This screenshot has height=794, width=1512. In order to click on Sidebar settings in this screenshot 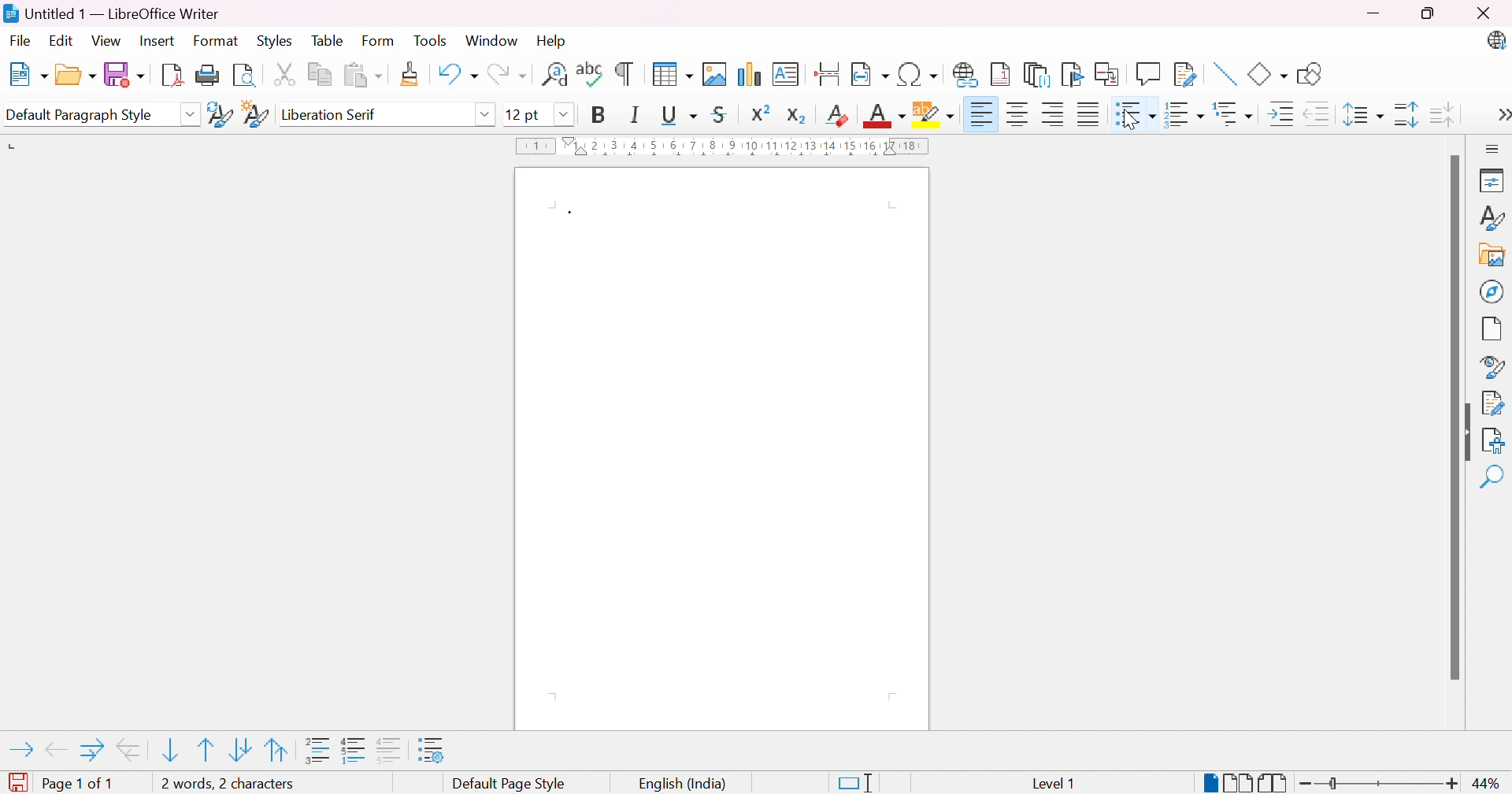, I will do `click(1493, 147)`.